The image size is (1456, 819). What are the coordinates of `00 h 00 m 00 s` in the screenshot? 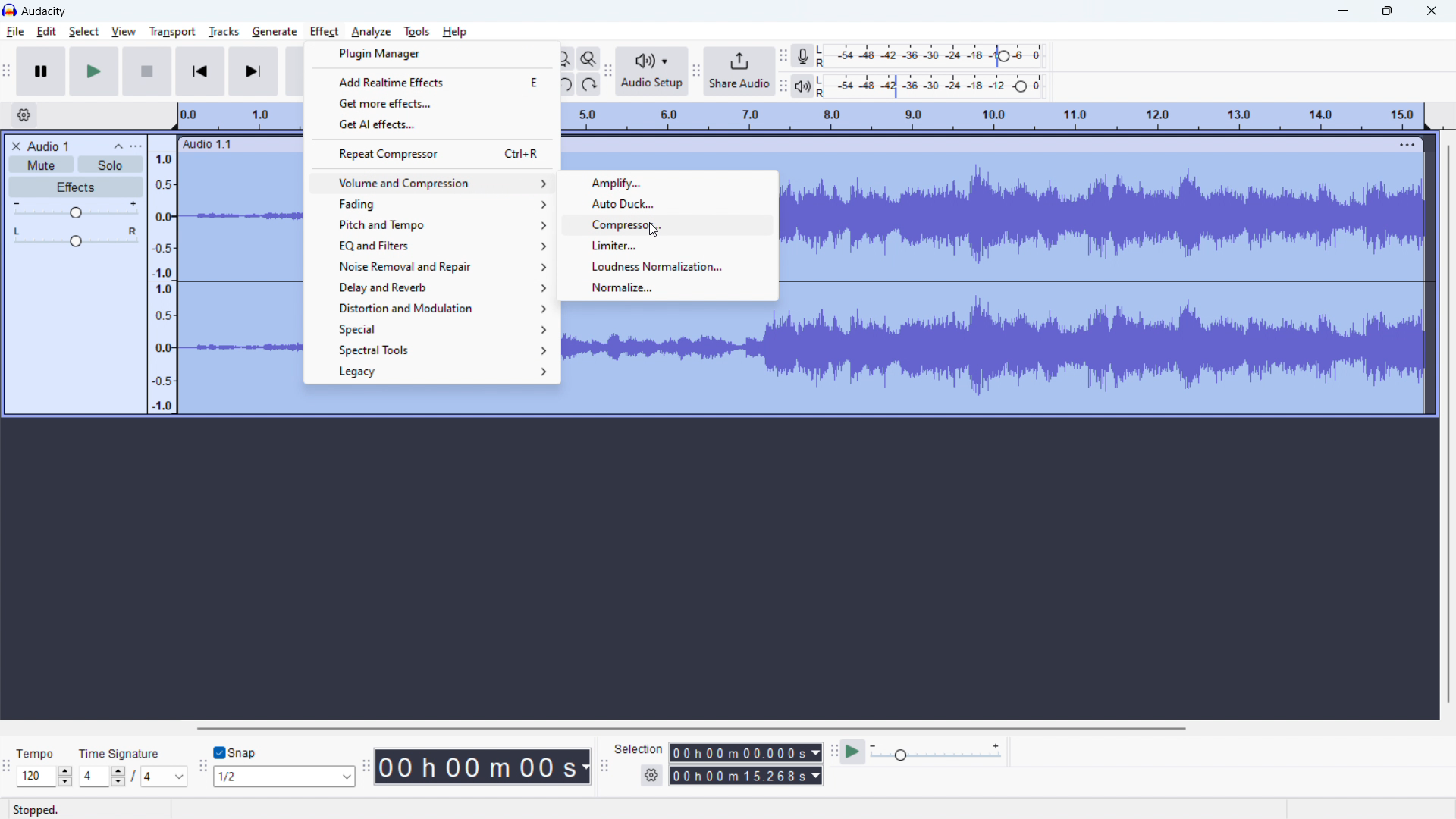 It's located at (482, 763).